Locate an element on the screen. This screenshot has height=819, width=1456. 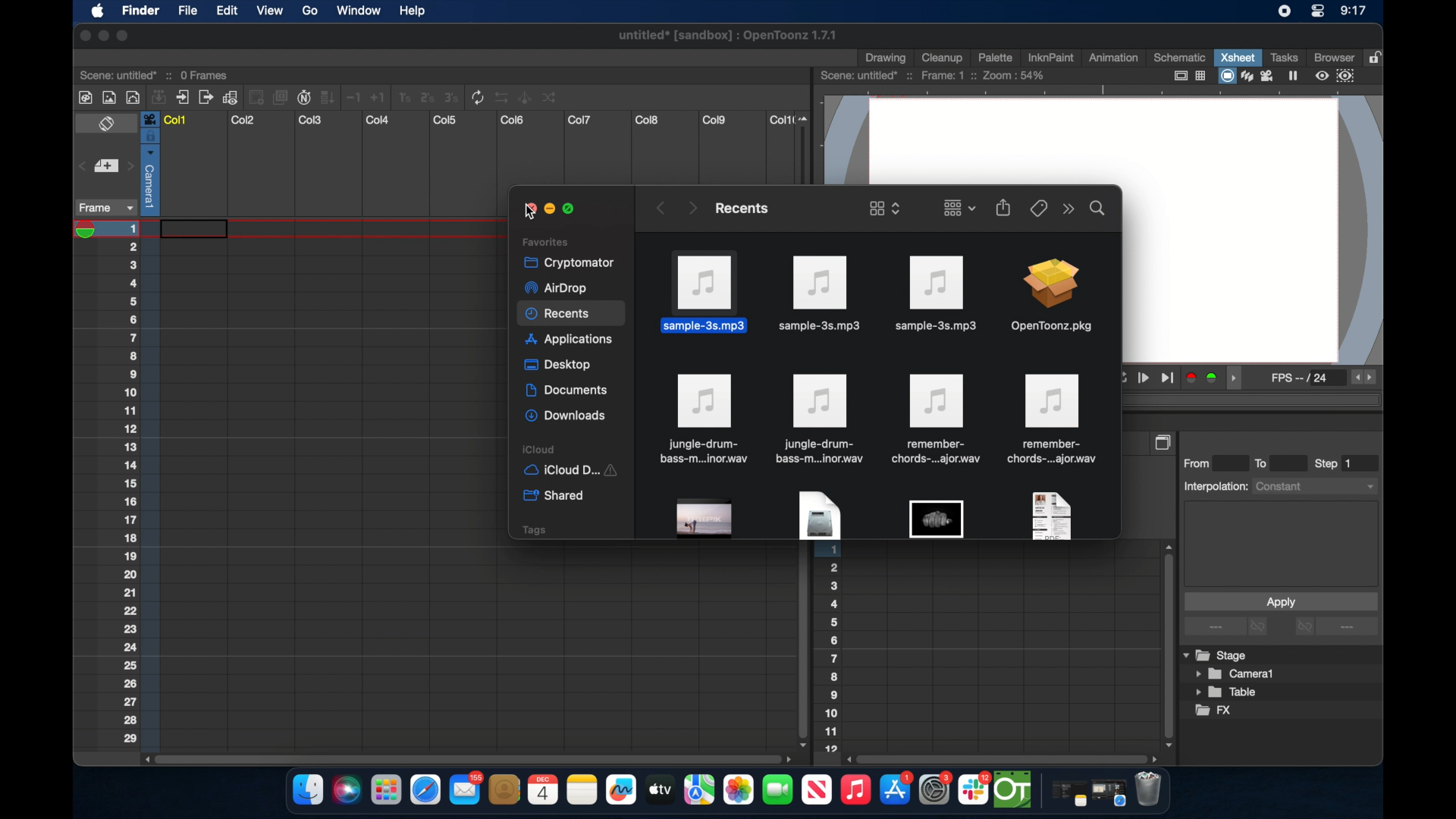
documents is located at coordinates (568, 391).